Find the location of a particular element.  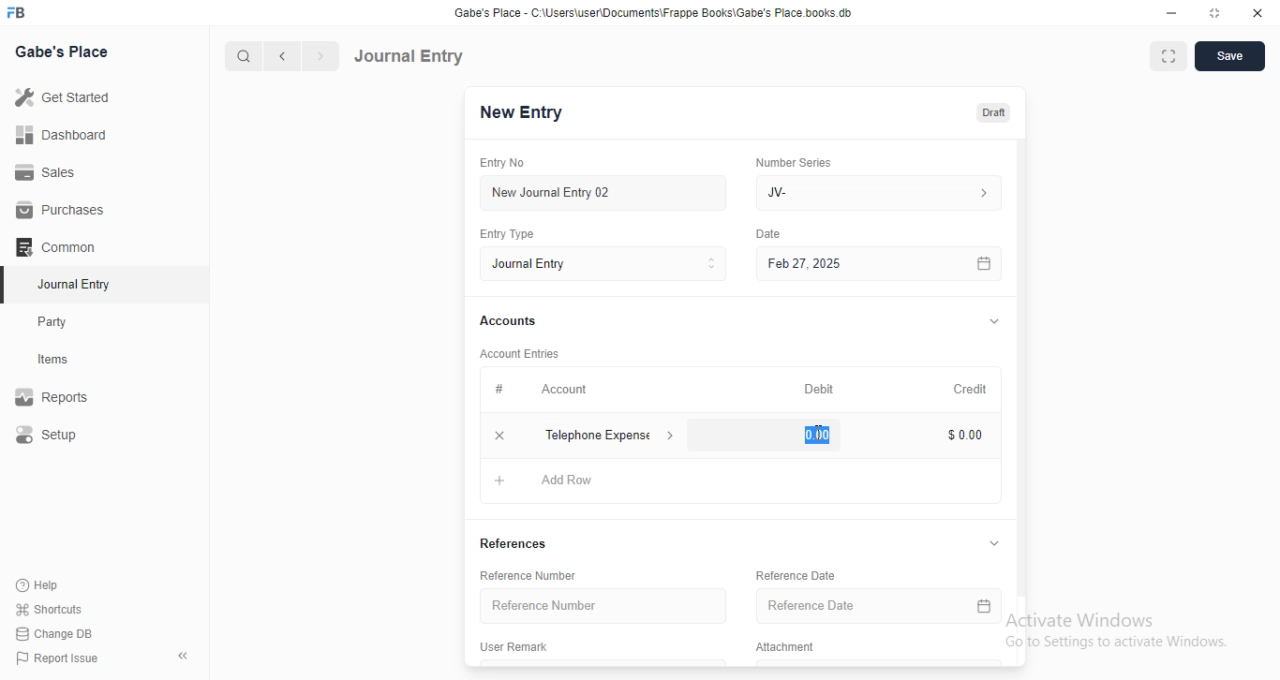

Search is located at coordinates (239, 56).